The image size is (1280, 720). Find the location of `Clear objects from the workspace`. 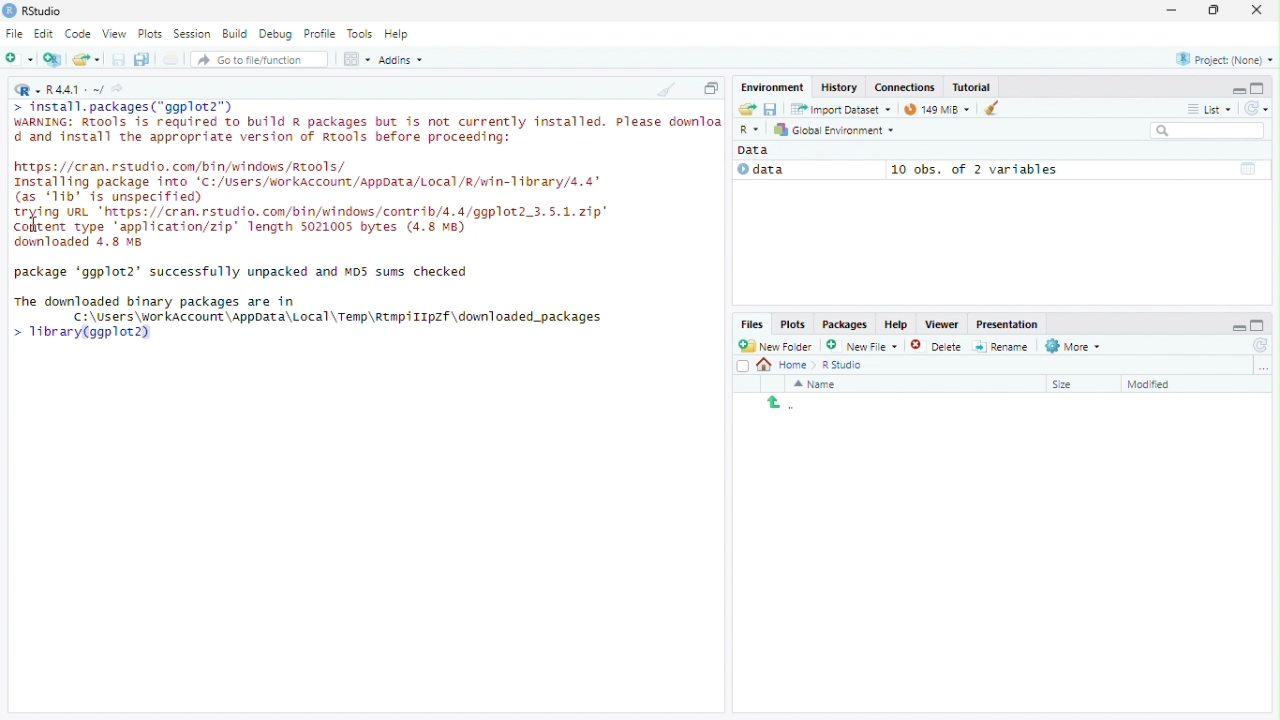

Clear objects from the workspace is located at coordinates (985, 108).